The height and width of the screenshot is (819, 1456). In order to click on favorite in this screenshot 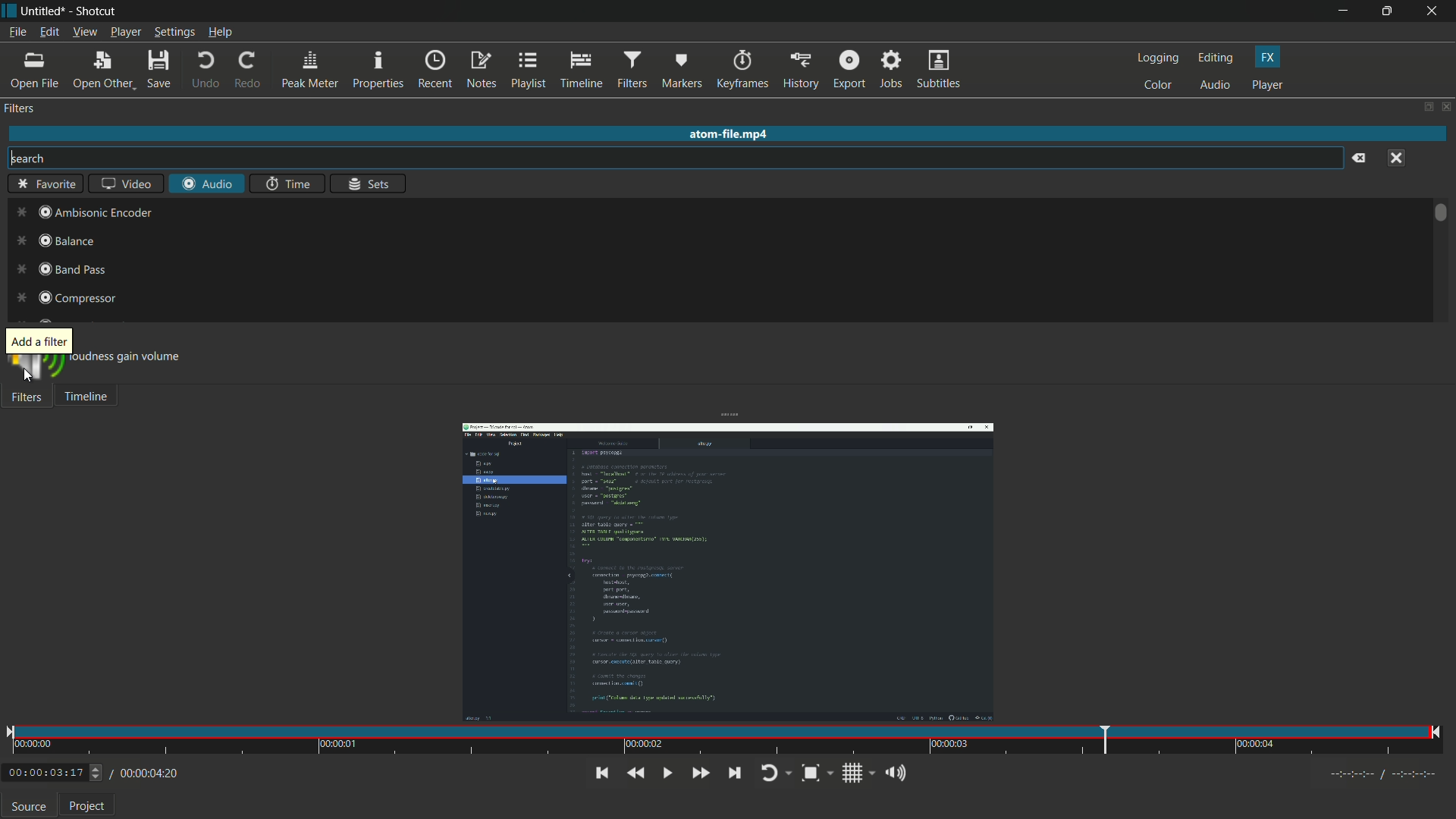, I will do `click(46, 183)`.